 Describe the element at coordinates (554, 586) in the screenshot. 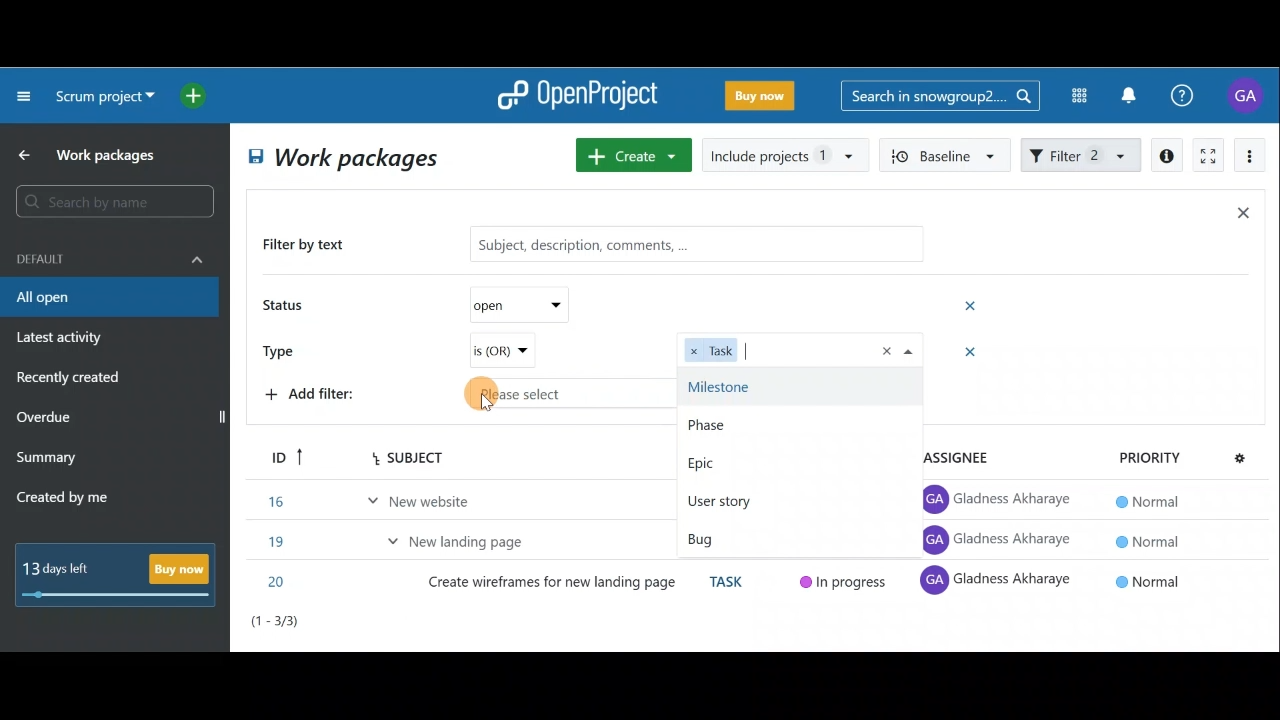

I see `Create wireframes for new landing page` at that location.